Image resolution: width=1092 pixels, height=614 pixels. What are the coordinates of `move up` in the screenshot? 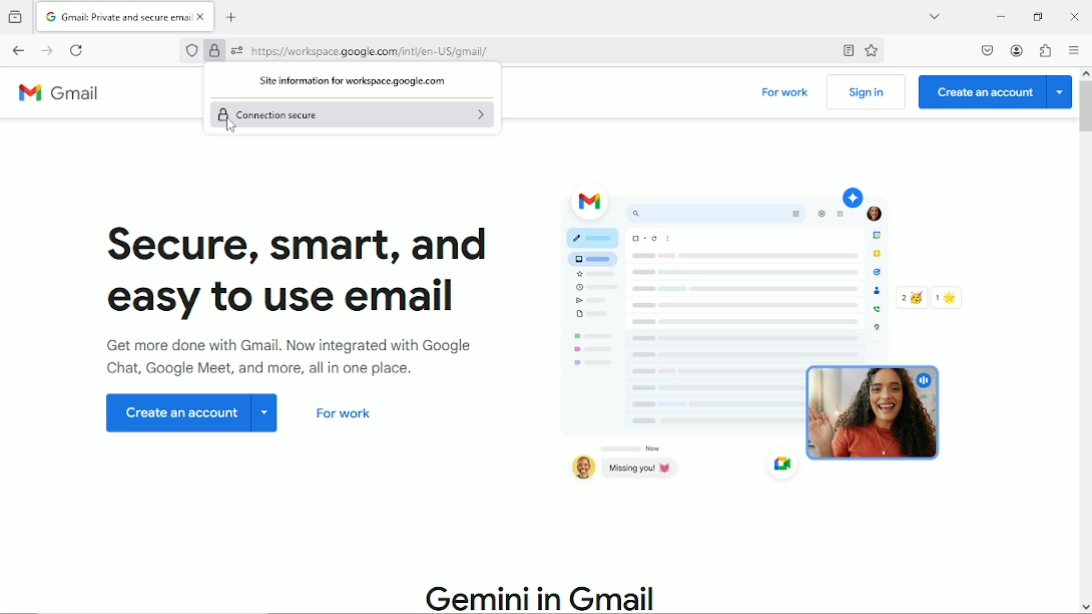 It's located at (1085, 73).